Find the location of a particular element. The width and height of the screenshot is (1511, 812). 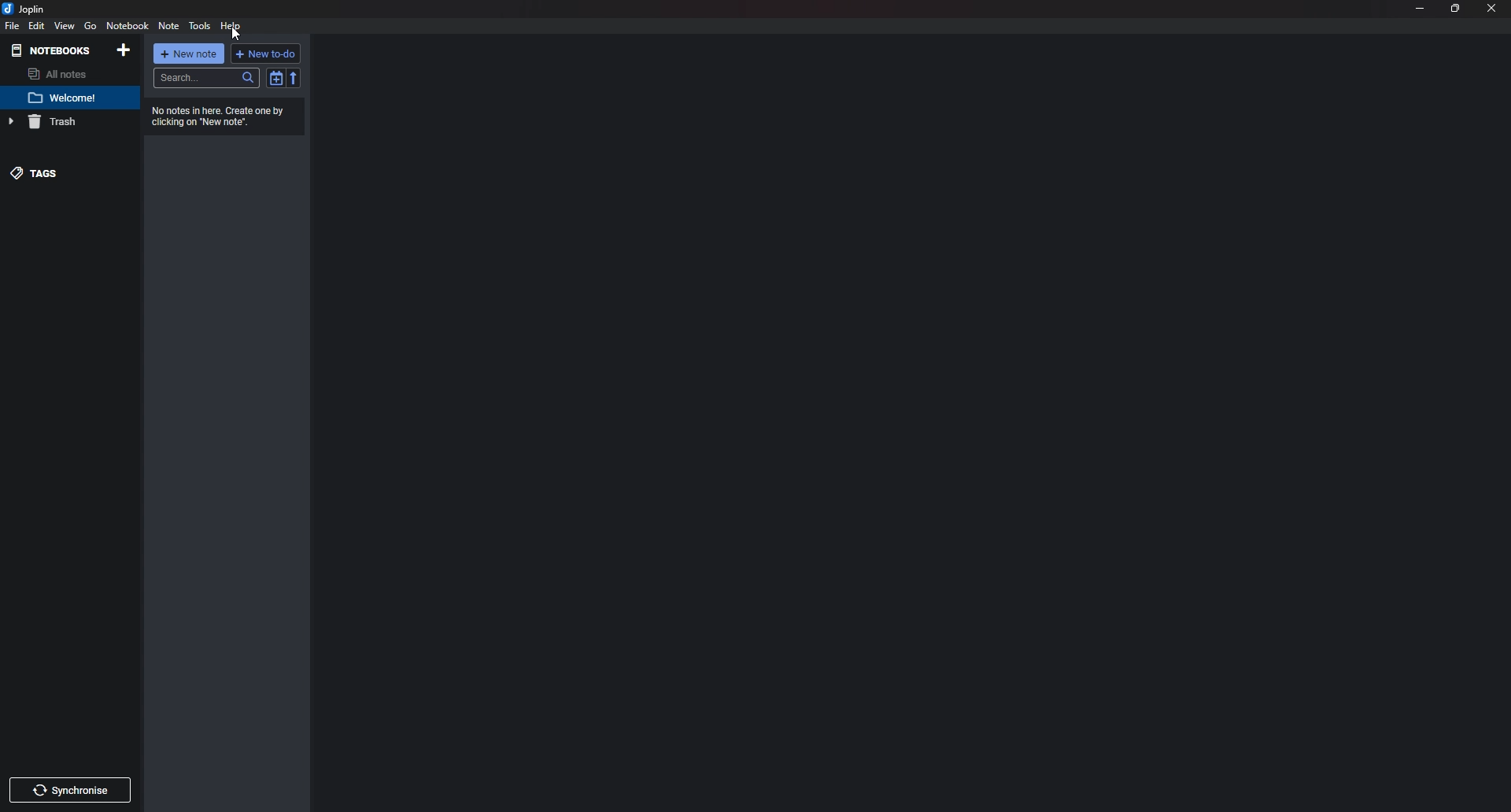

close is located at coordinates (1493, 9).